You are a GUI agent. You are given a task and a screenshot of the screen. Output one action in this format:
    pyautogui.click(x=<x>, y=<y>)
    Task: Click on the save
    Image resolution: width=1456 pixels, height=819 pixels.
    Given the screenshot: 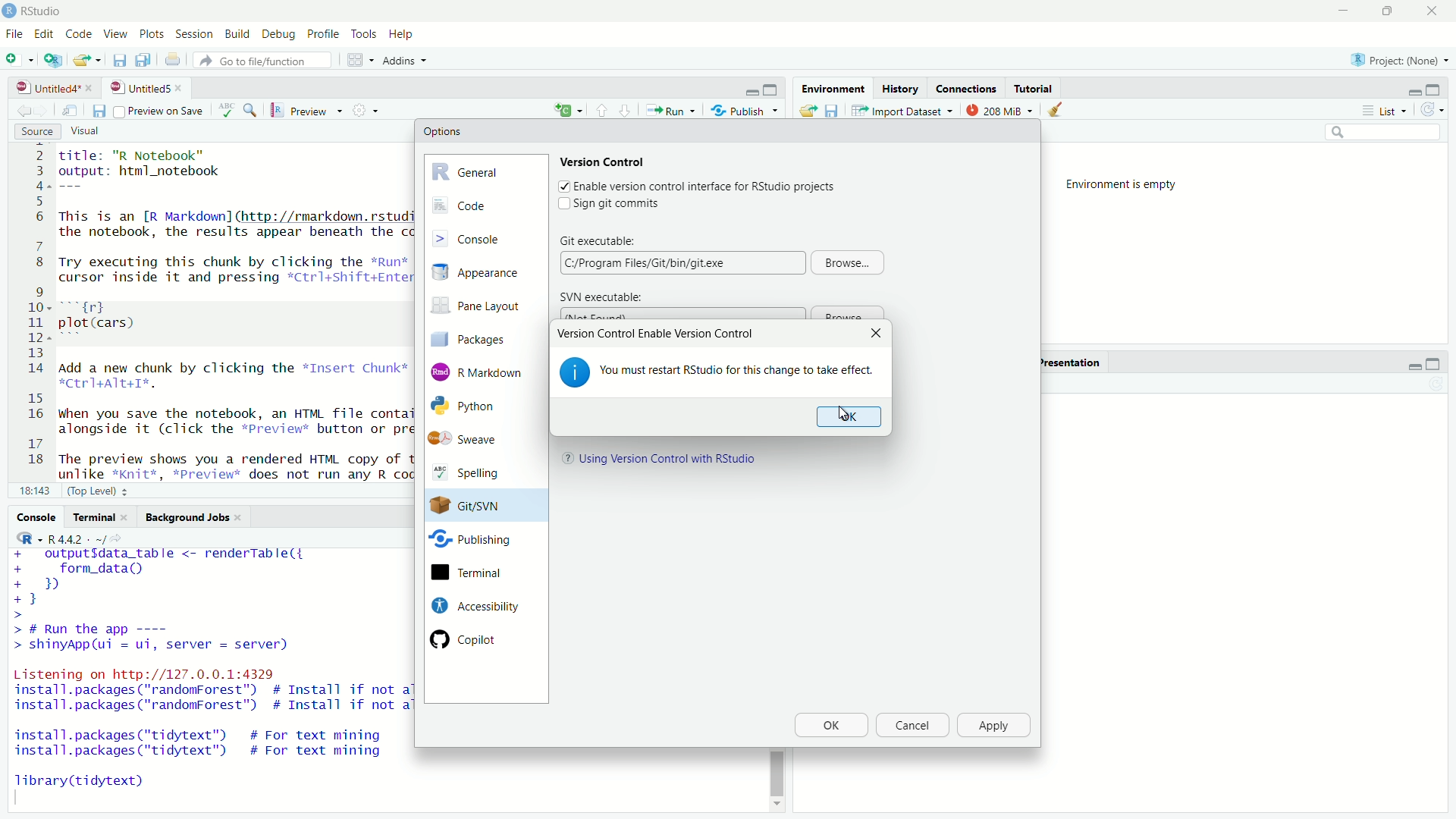 What is the action you would take?
    pyautogui.click(x=98, y=111)
    